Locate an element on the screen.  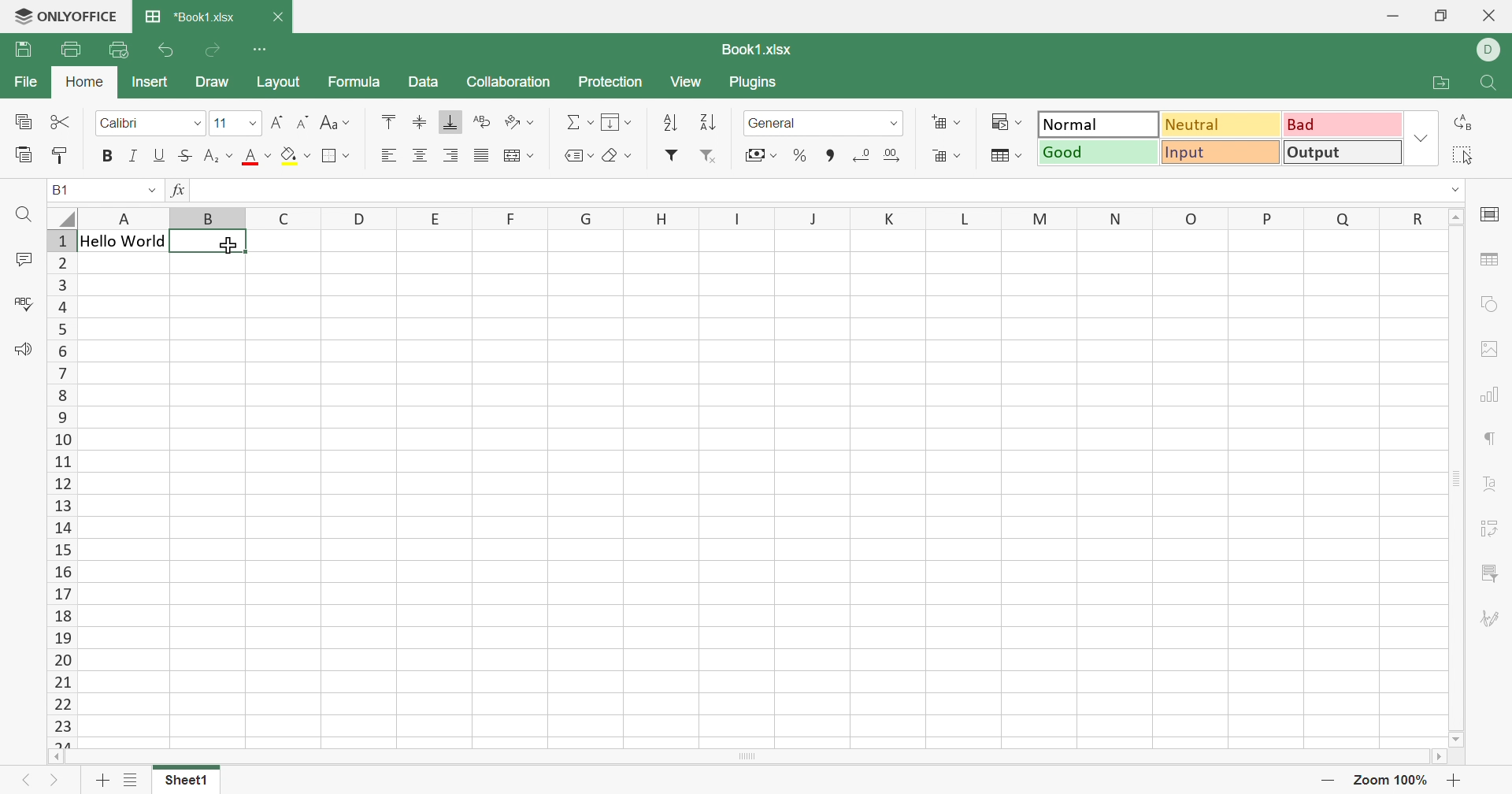
Signature settings is located at coordinates (1492, 618).